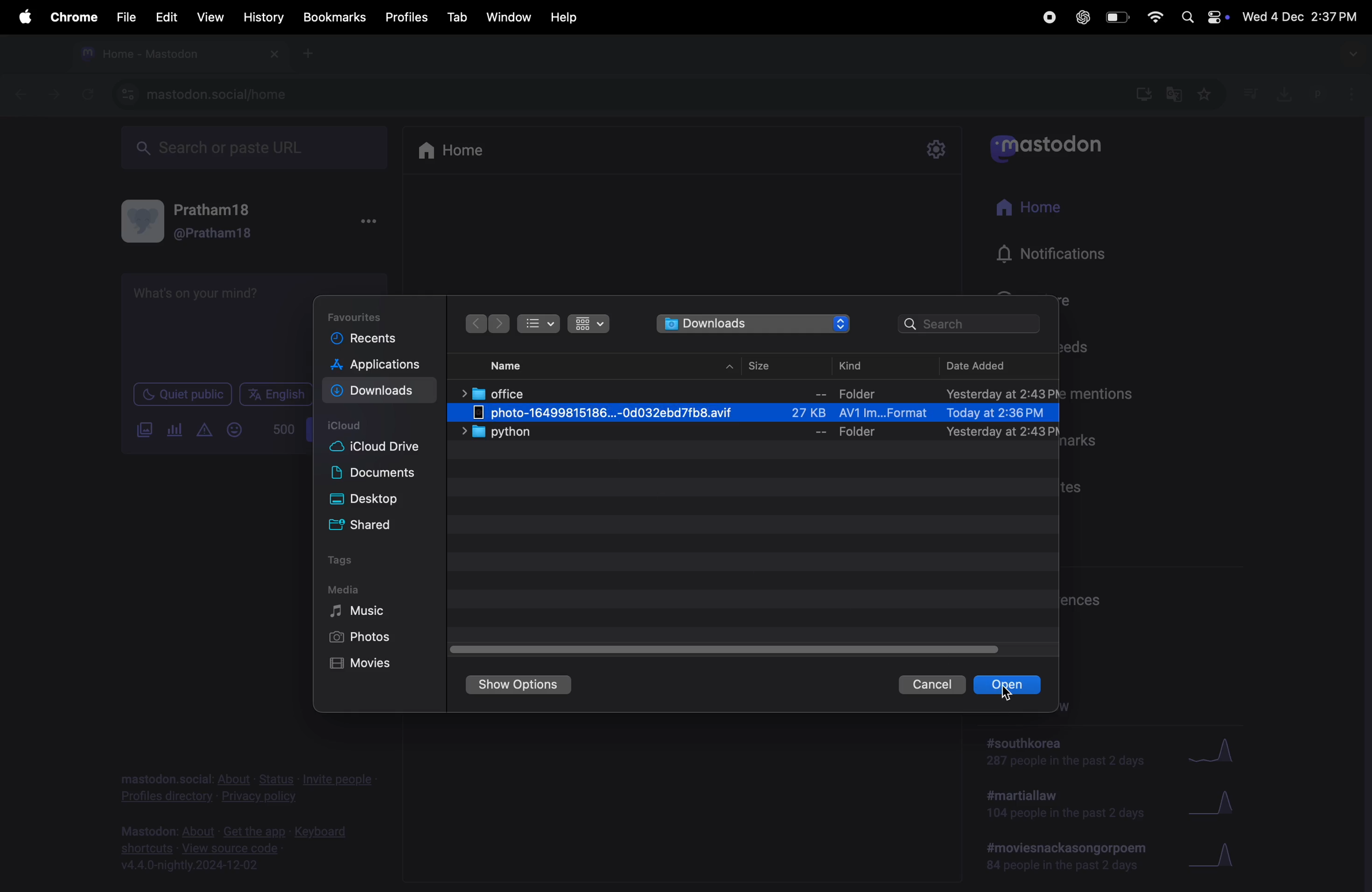 The height and width of the screenshot is (892, 1372). What do you see at coordinates (1007, 685) in the screenshot?
I see `open` at bounding box center [1007, 685].